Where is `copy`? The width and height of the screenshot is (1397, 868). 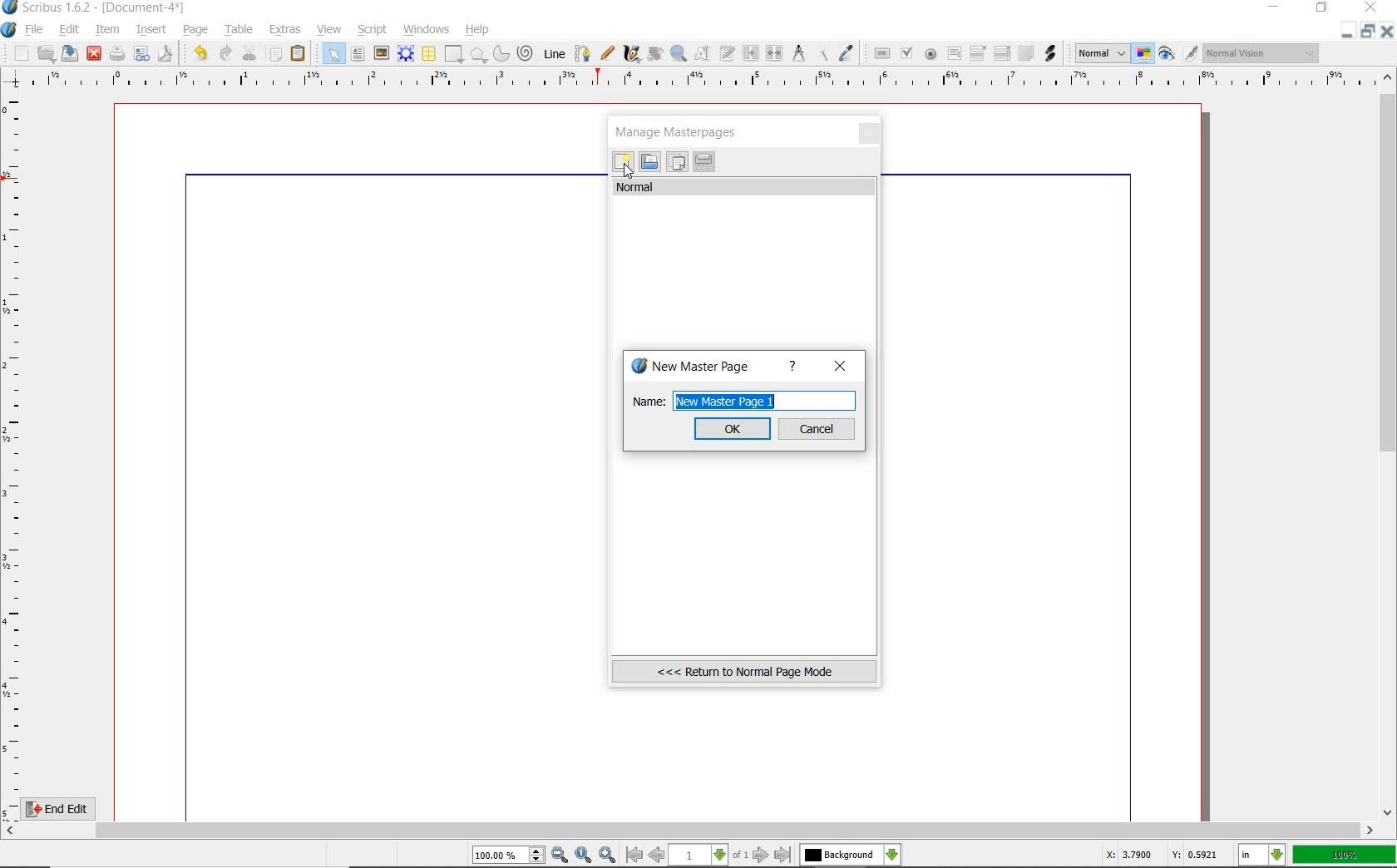 copy is located at coordinates (274, 52).